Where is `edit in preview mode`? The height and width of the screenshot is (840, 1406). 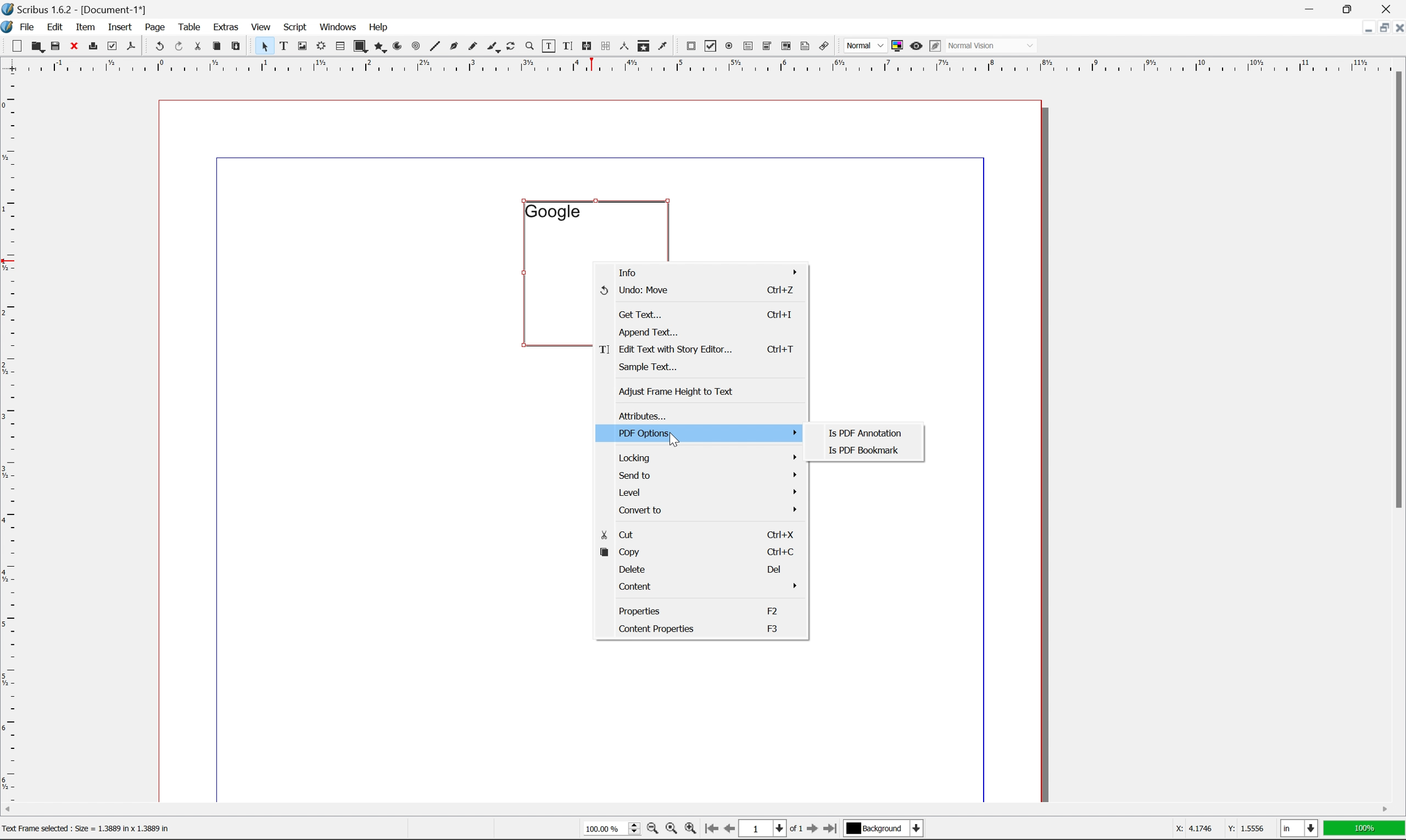
edit in preview mode is located at coordinates (935, 46).